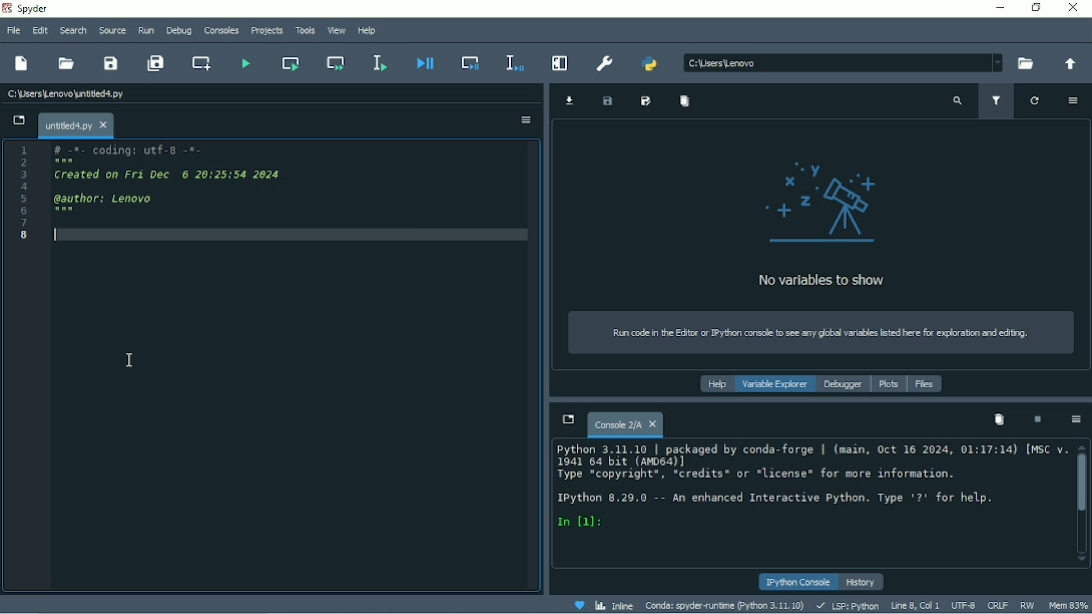  Describe the element at coordinates (78, 125) in the screenshot. I see `File name` at that location.